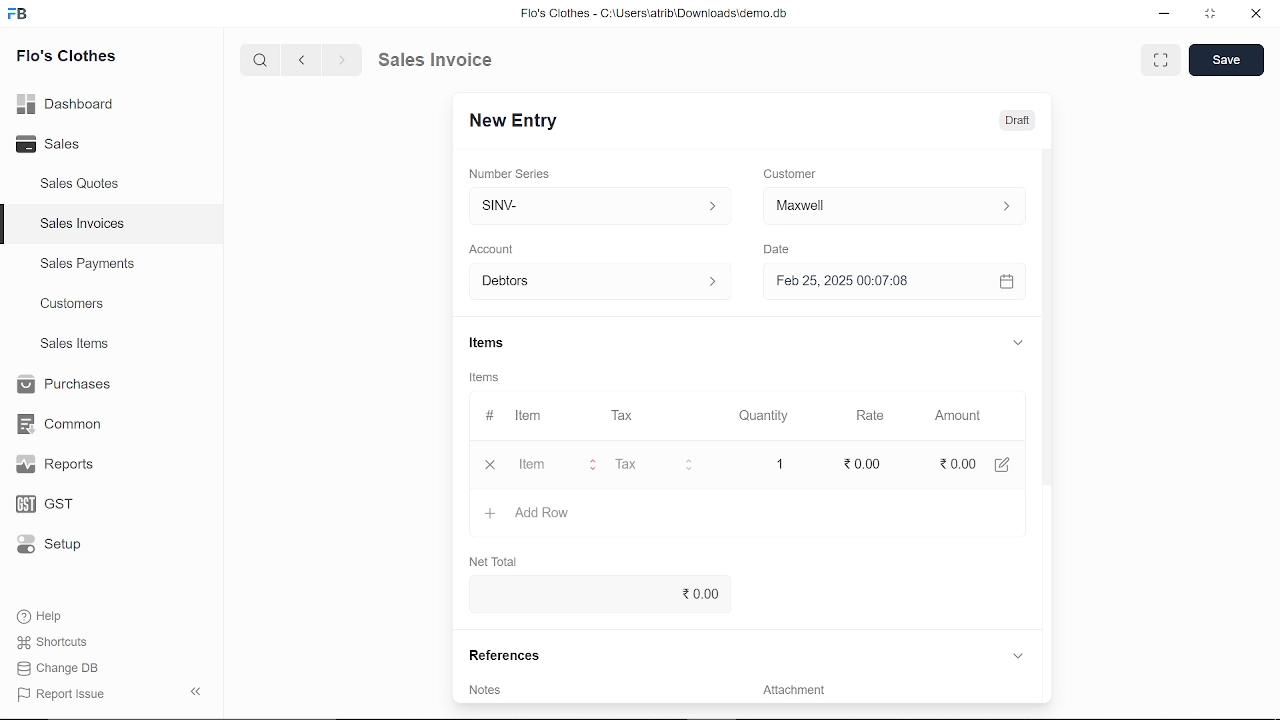 This screenshot has height=720, width=1280. I want to click on Date, so click(780, 249).